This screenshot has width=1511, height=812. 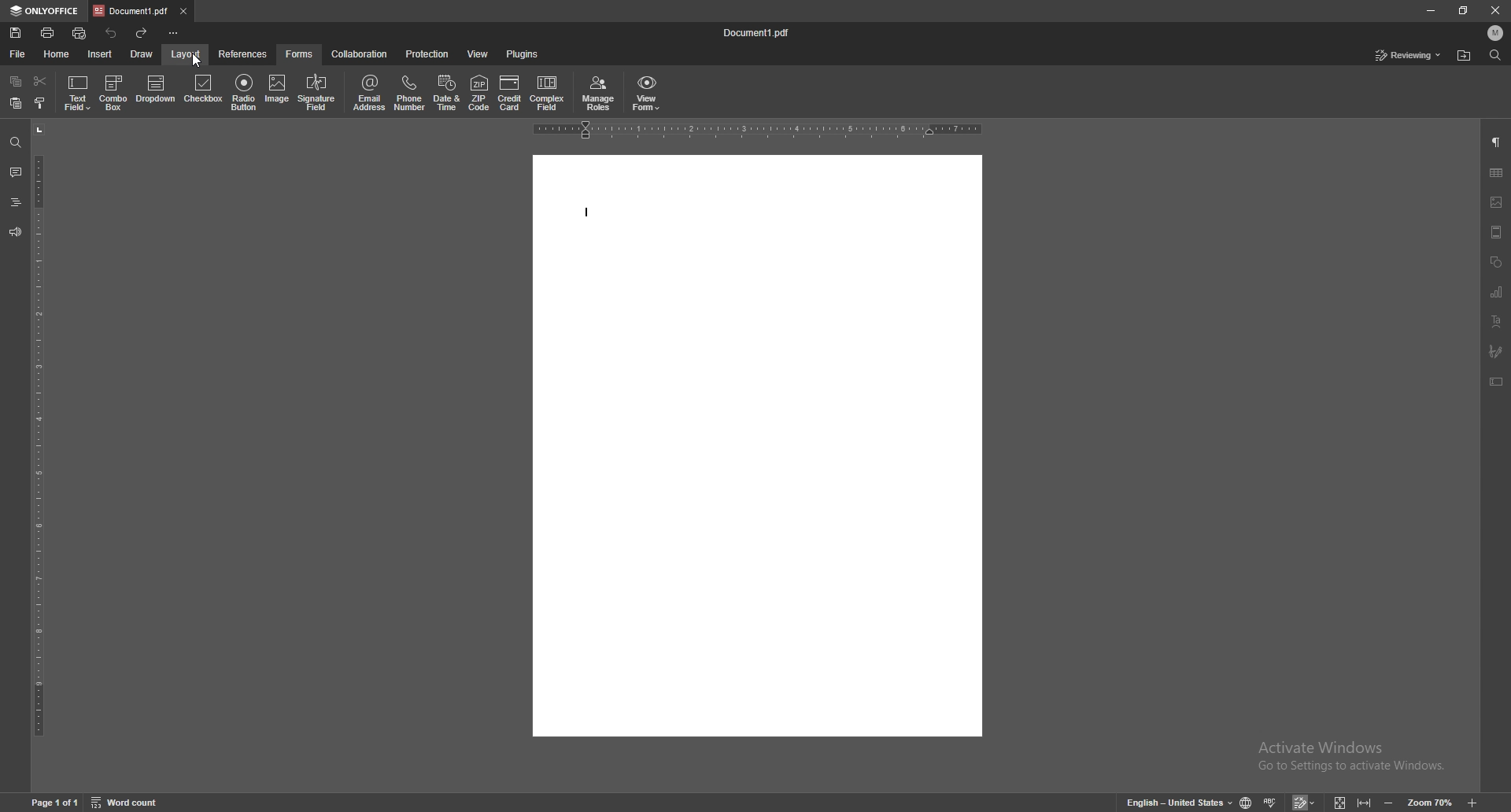 What do you see at coordinates (49, 33) in the screenshot?
I see `print` at bounding box center [49, 33].